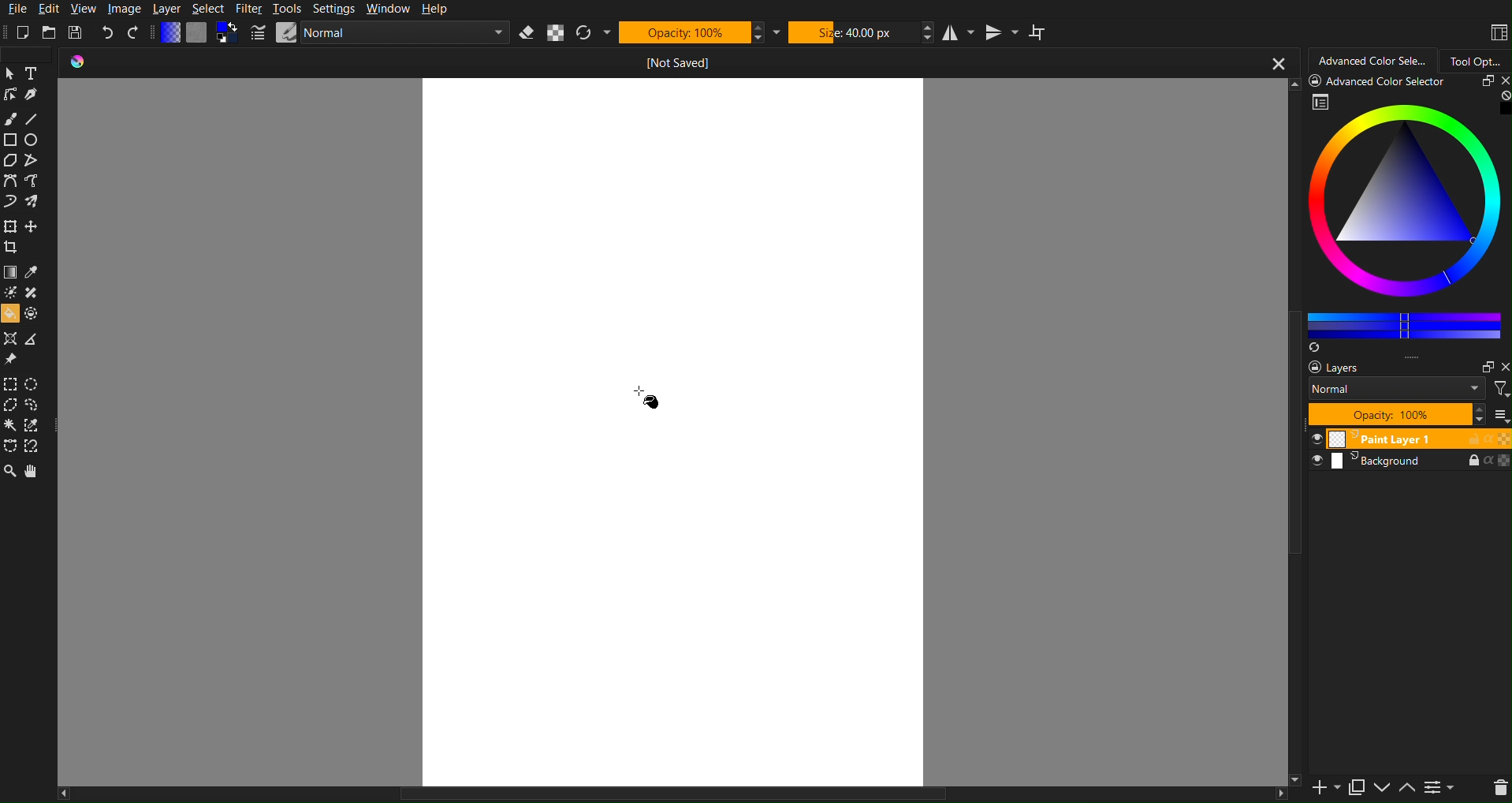 Image resolution: width=1512 pixels, height=803 pixels. What do you see at coordinates (1502, 95) in the screenshot?
I see `stop` at bounding box center [1502, 95].